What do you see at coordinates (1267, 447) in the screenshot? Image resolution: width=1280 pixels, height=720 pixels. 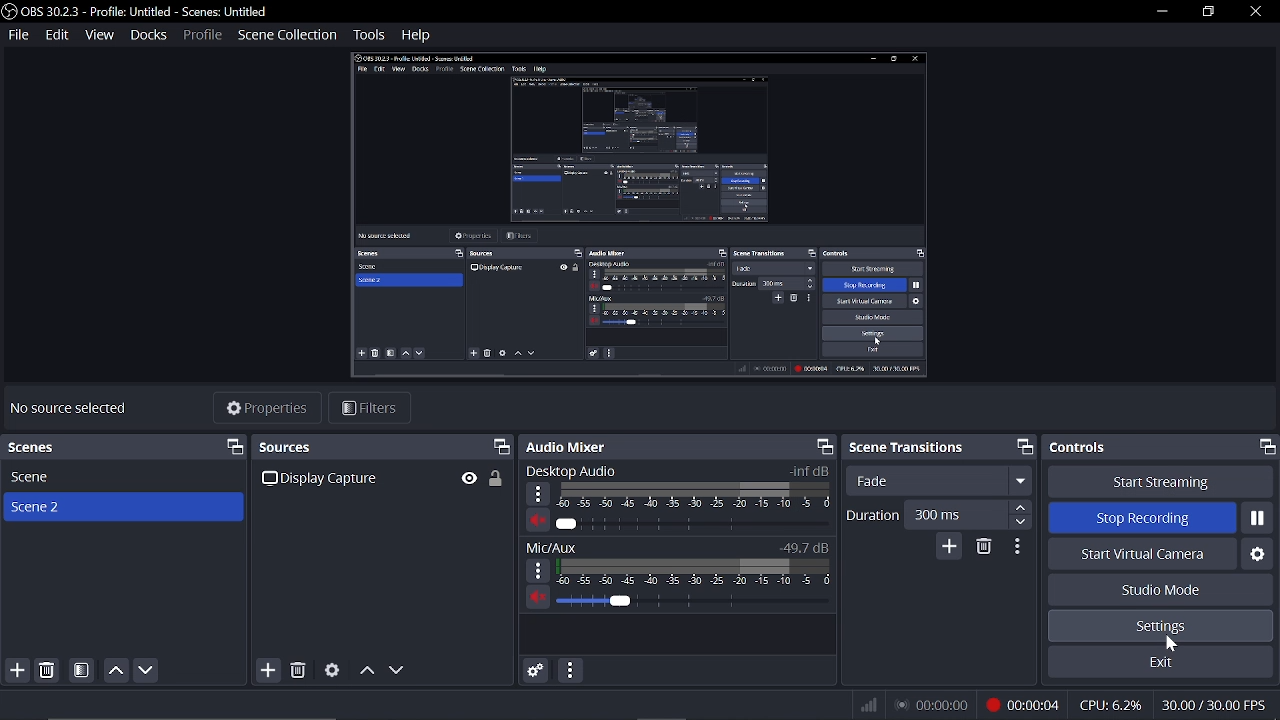 I see `toggle controls` at bounding box center [1267, 447].